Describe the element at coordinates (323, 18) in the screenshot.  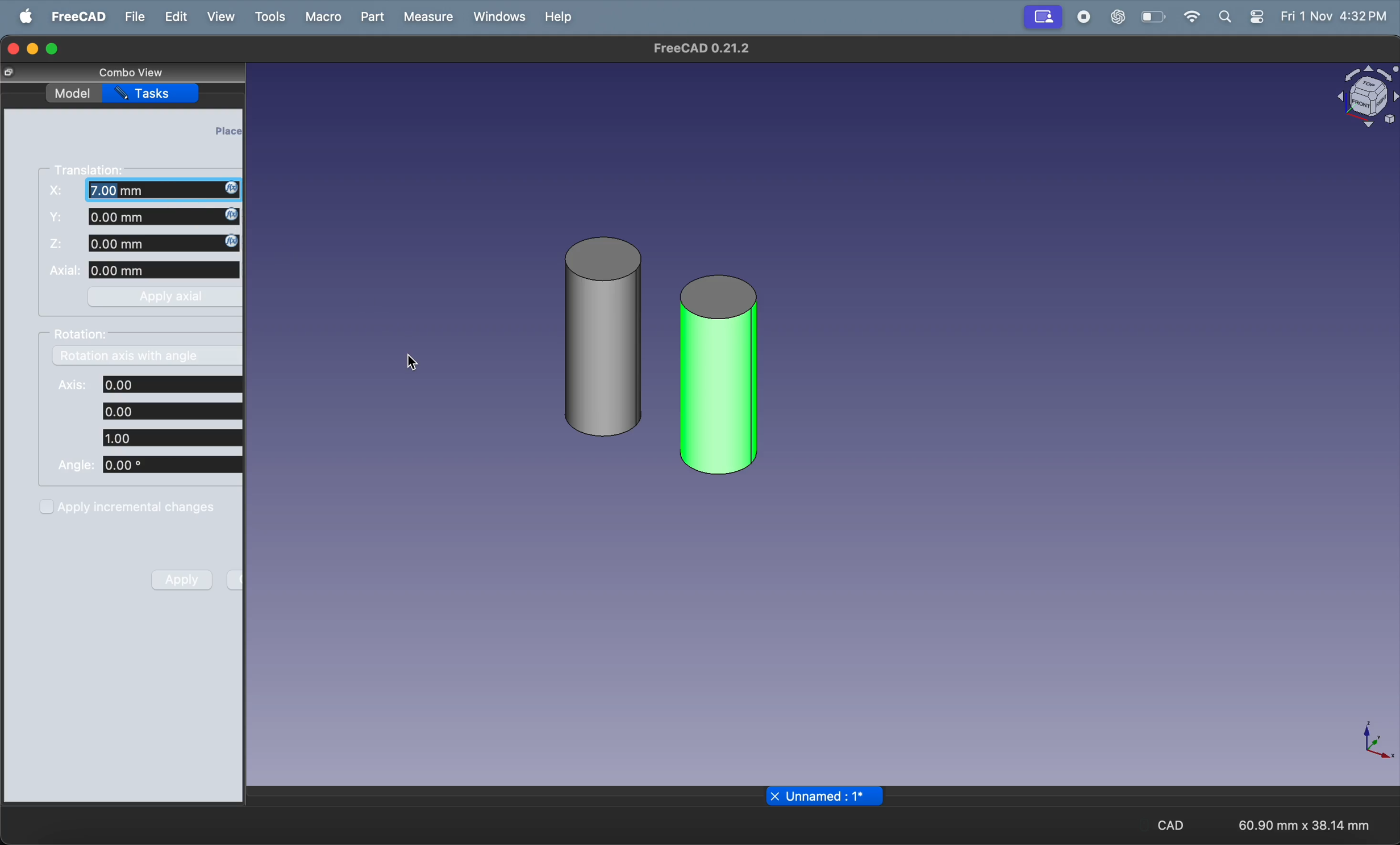
I see `macro` at that location.